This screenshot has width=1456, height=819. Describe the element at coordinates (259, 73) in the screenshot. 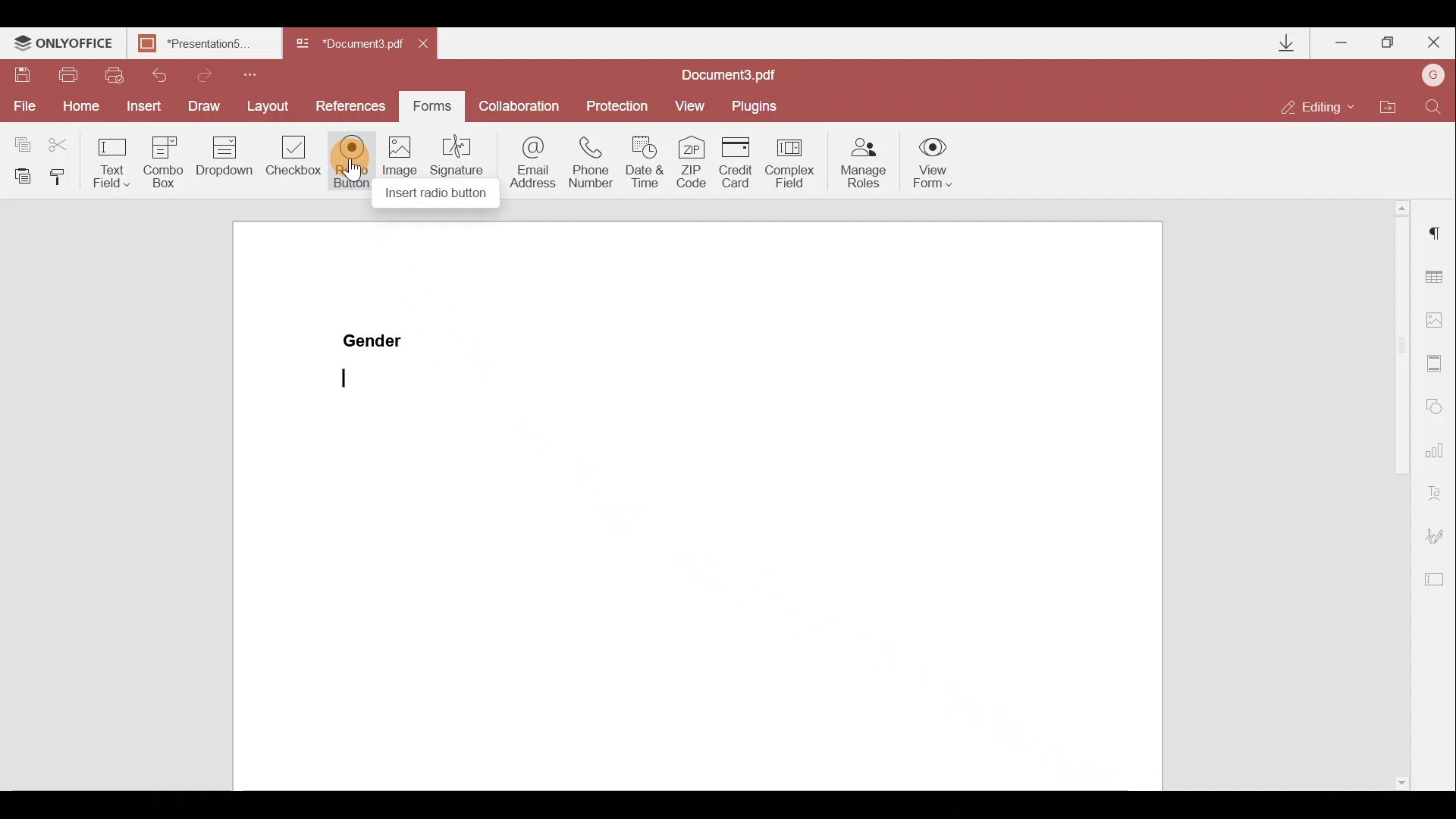

I see `Customize quick access toolbar` at that location.